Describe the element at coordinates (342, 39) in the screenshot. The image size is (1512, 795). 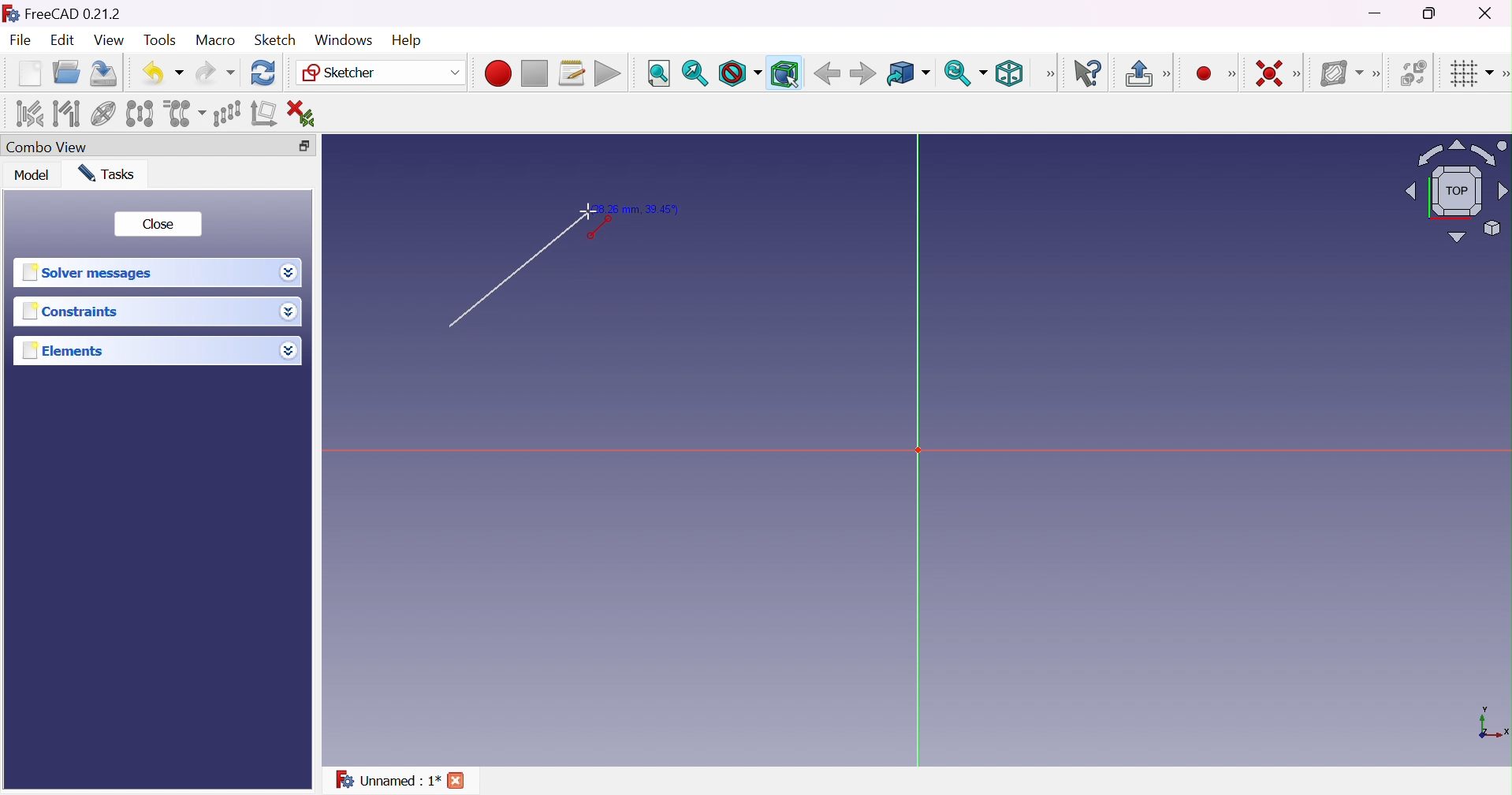
I see `Windows` at that location.